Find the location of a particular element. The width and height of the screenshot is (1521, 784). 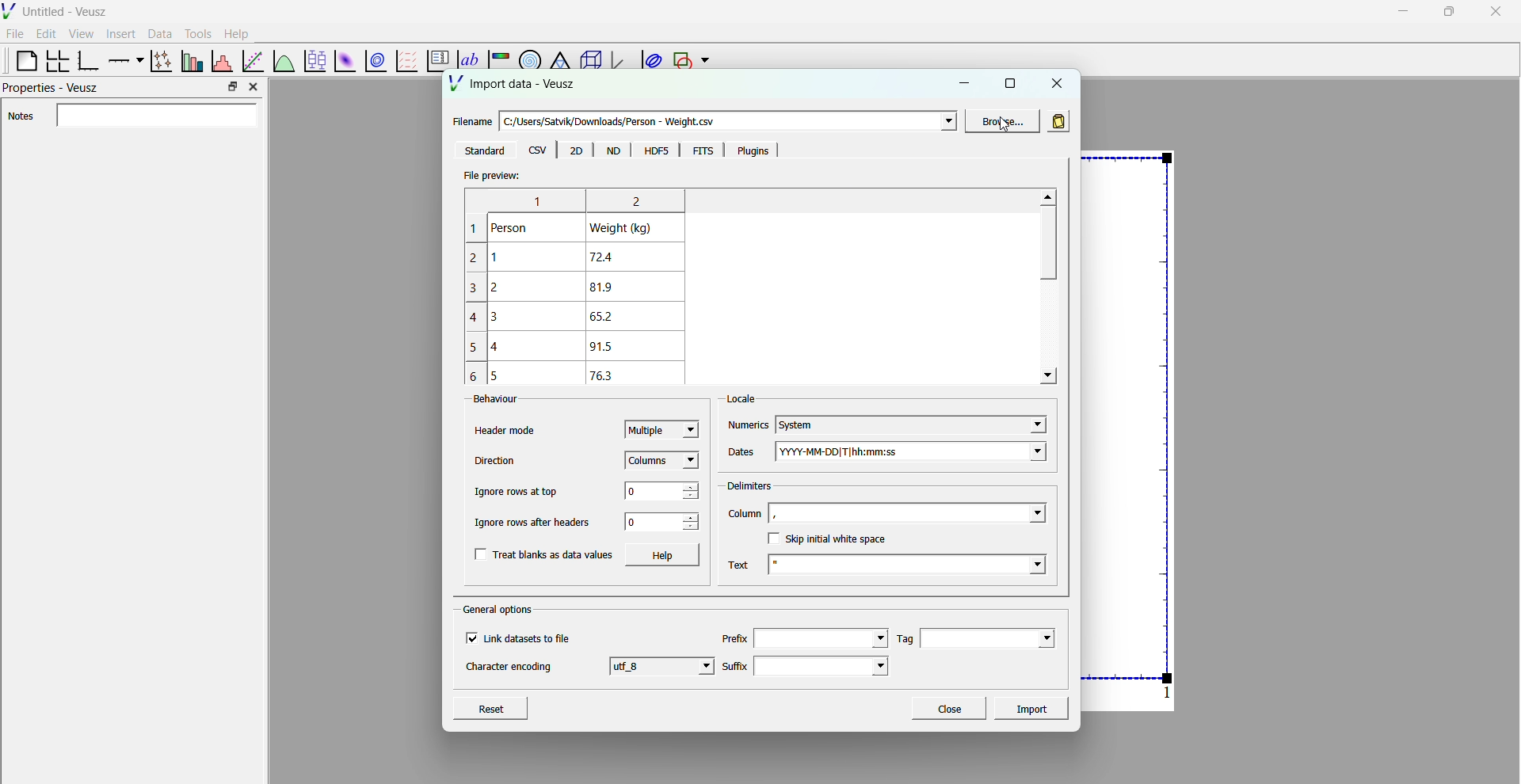

help is located at coordinates (237, 32).